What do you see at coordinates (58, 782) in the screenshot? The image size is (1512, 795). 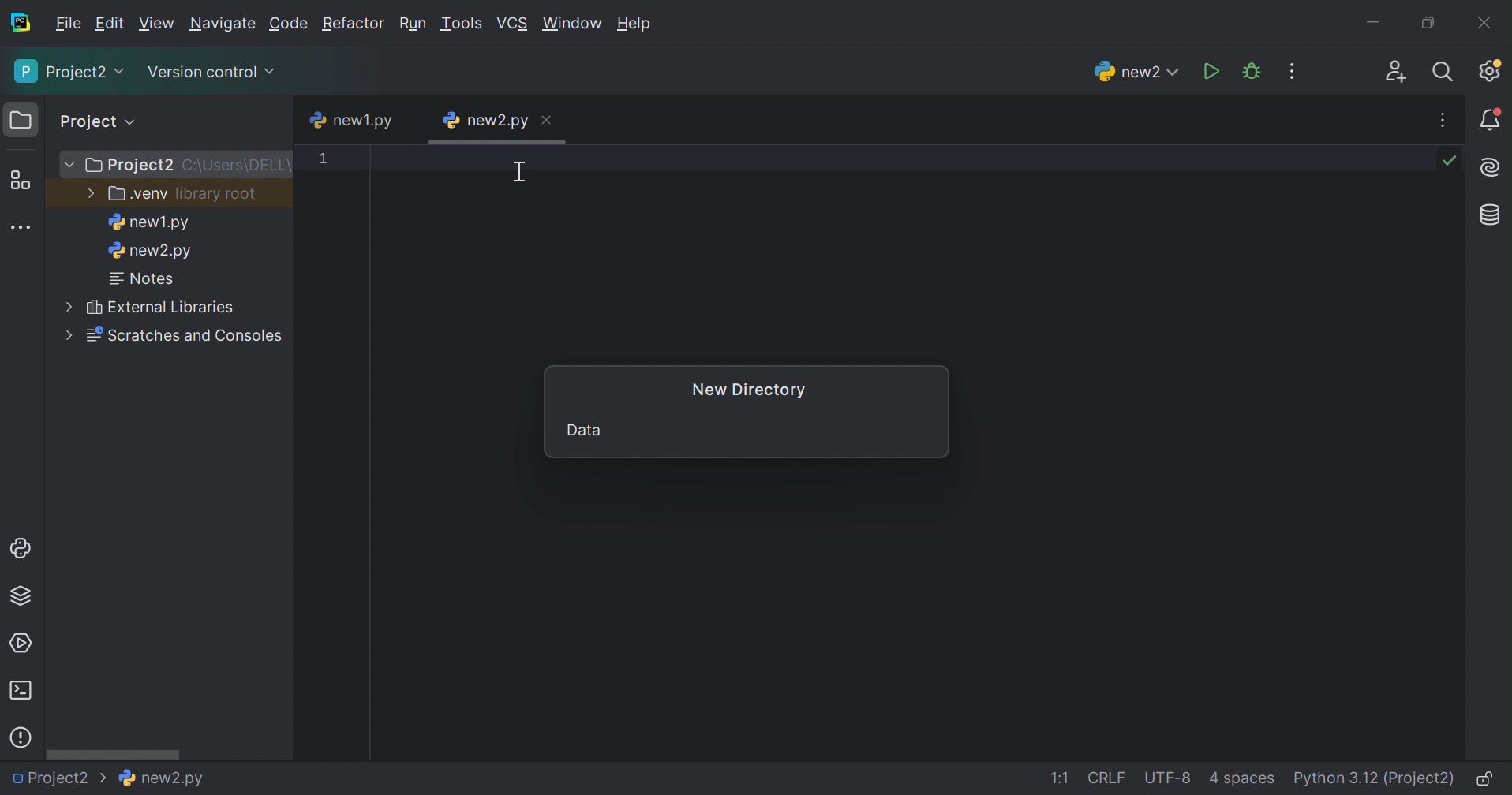 I see `Project2` at bounding box center [58, 782].